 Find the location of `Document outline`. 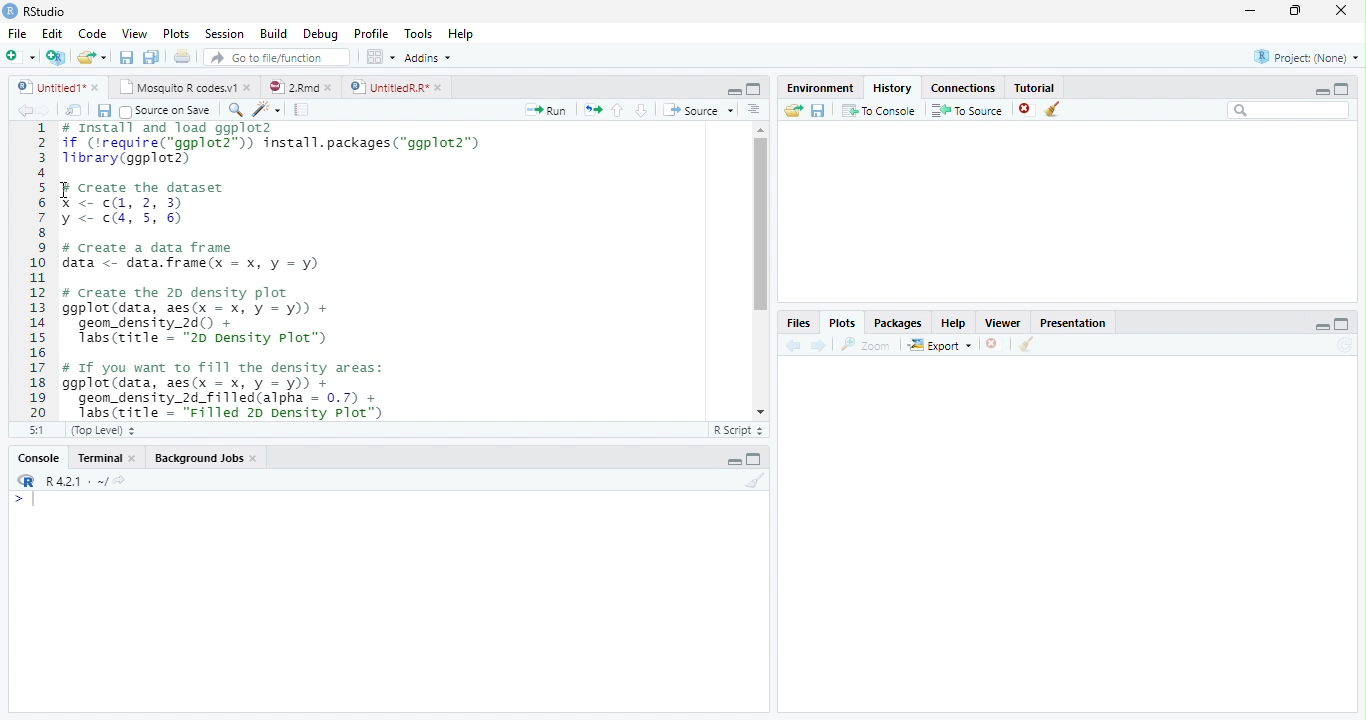

Document outline is located at coordinates (754, 111).